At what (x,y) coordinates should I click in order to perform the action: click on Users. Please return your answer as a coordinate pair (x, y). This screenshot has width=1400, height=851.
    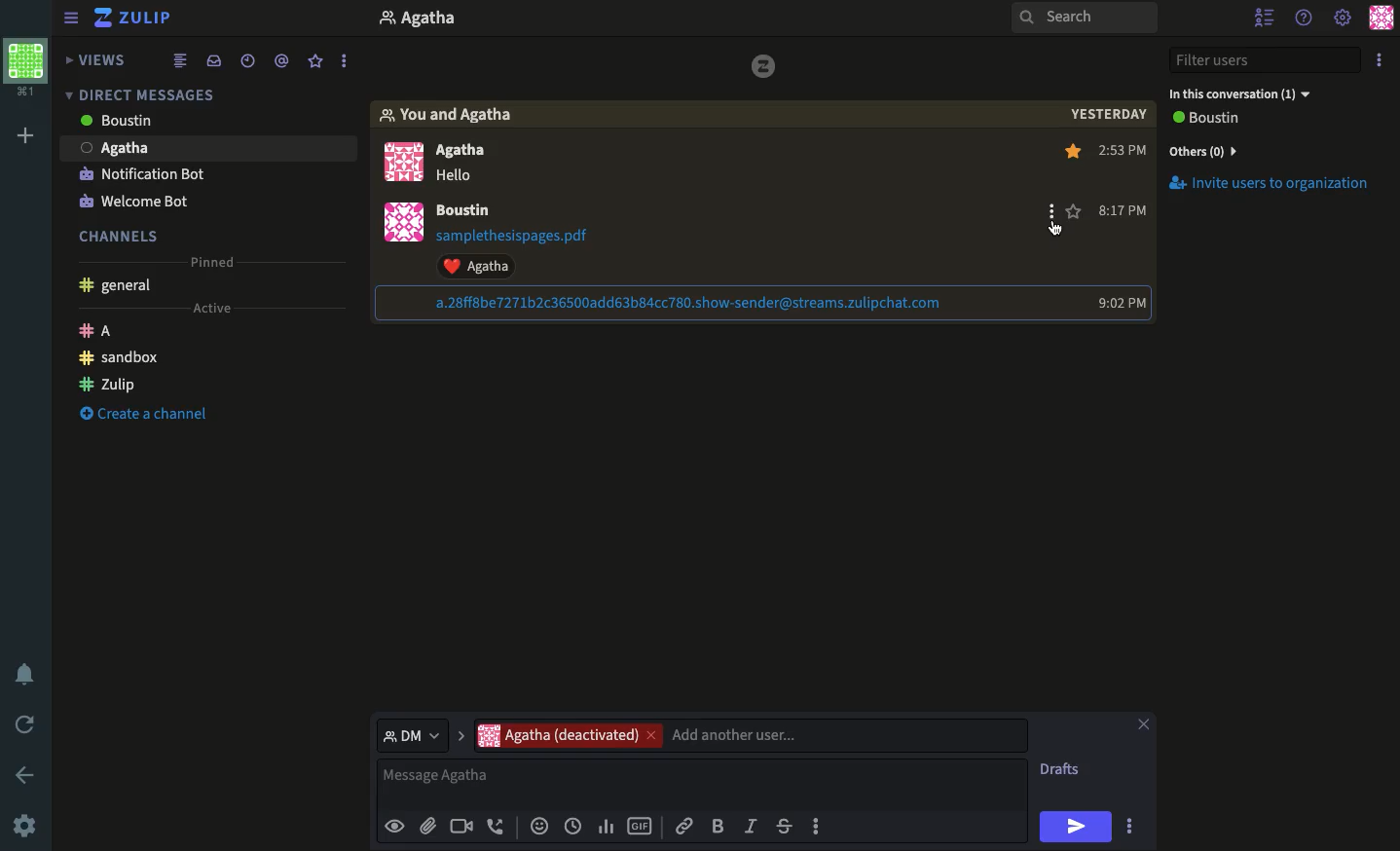
    Looking at the image, I should click on (750, 735).